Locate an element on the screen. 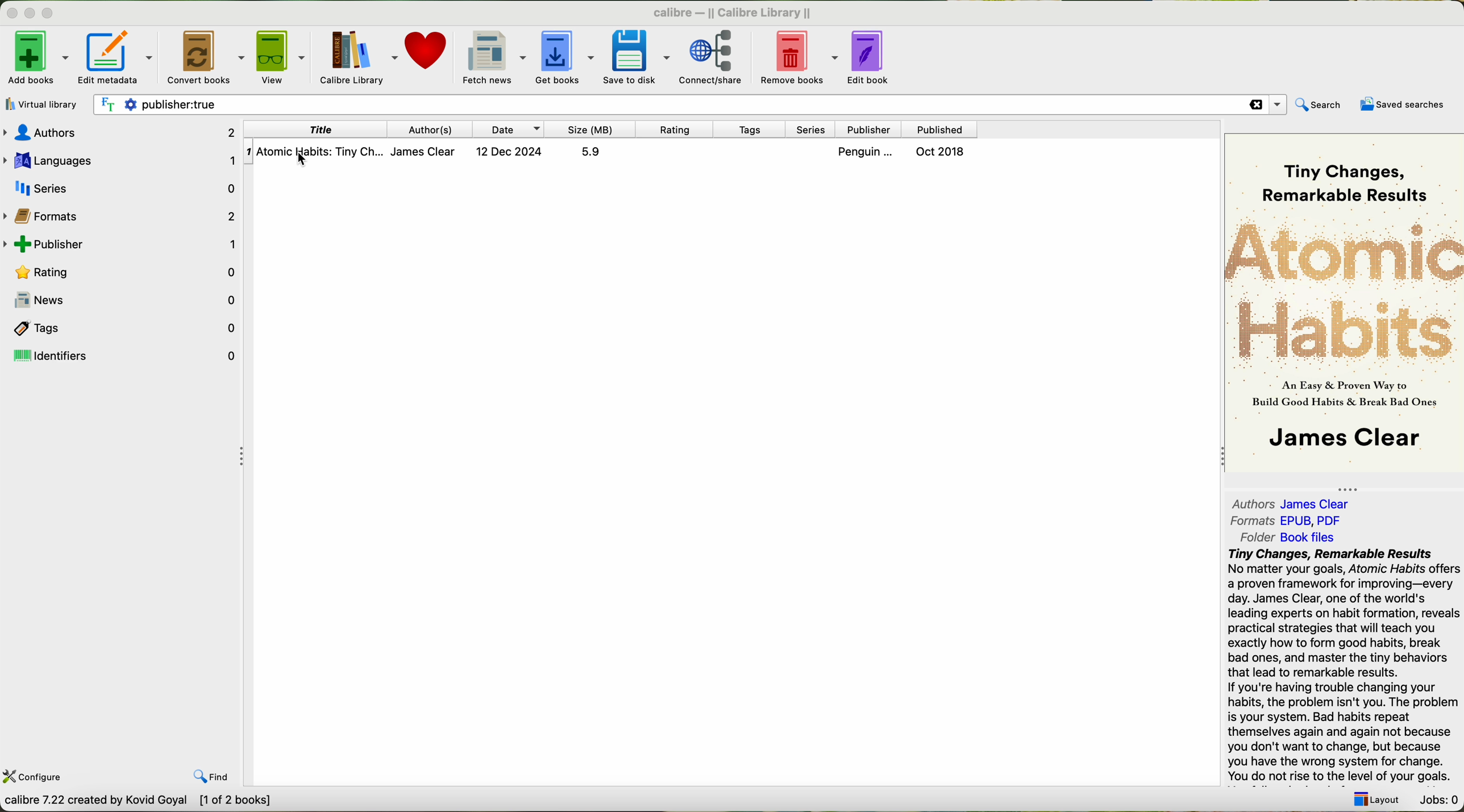  tags is located at coordinates (124, 329).